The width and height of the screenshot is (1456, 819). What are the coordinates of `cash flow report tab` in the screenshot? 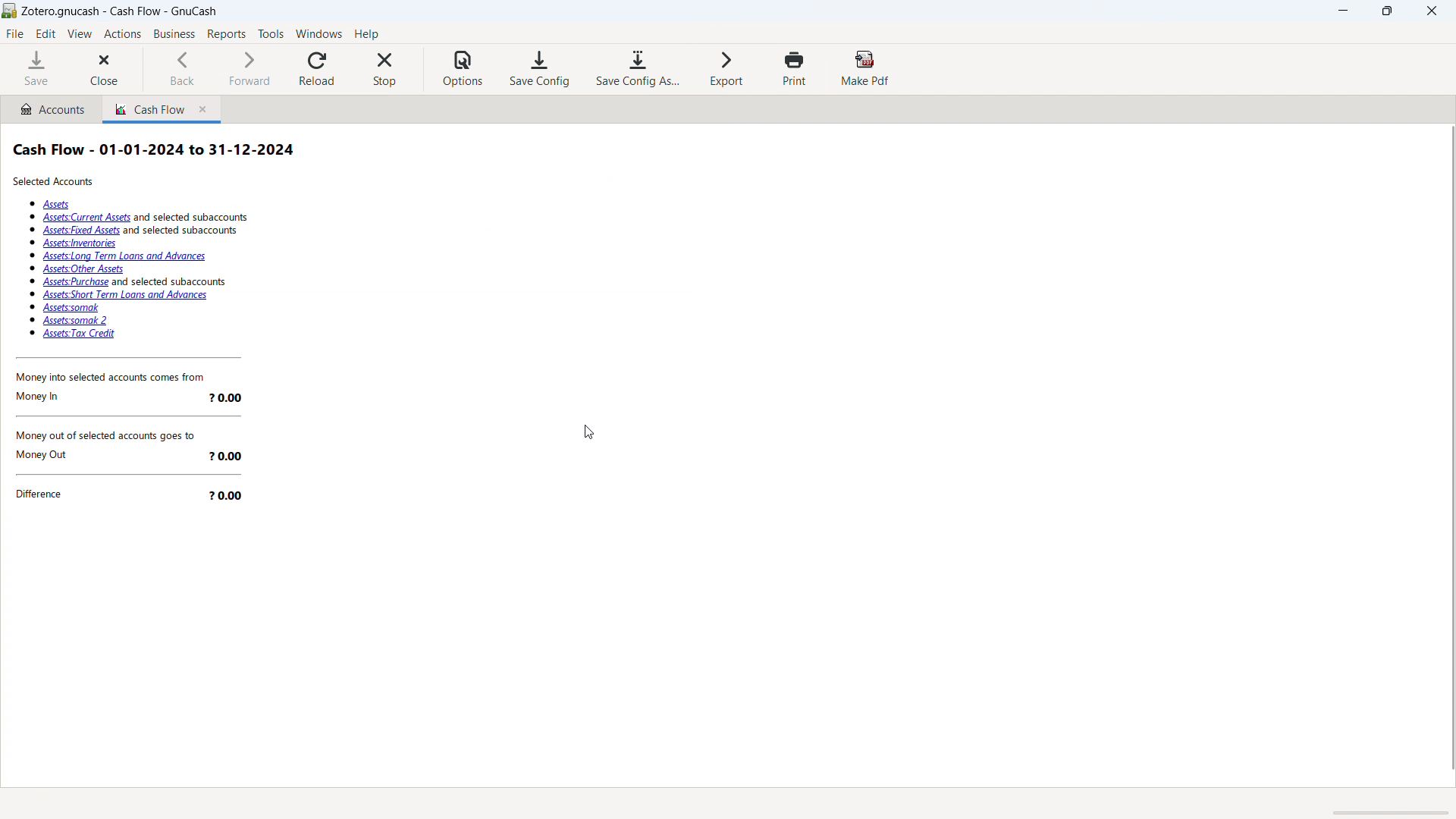 It's located at (146, 109).